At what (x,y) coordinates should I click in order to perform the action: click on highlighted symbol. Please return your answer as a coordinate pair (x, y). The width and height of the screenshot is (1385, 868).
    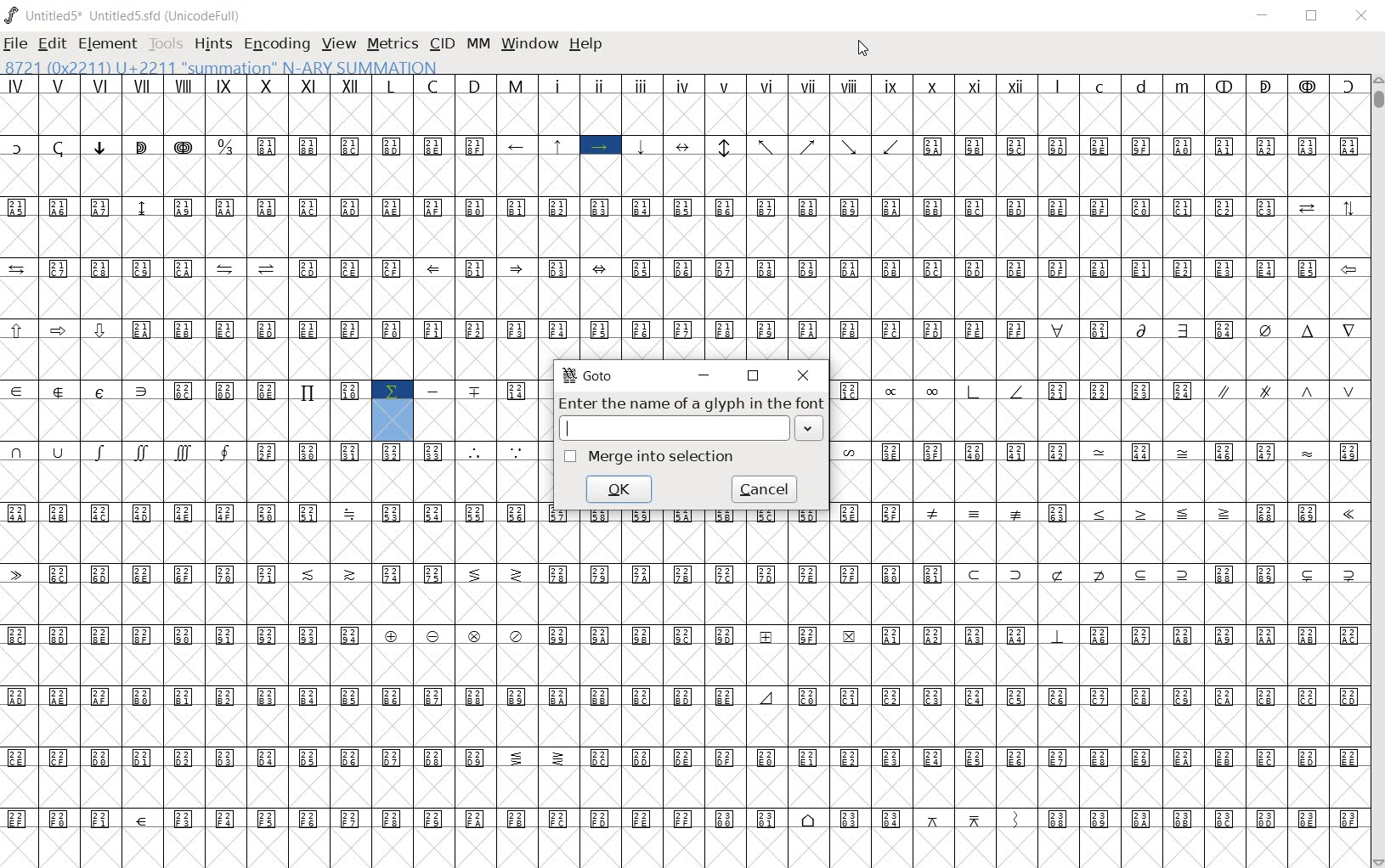
    Looking at the image, I should click on (392, 410).